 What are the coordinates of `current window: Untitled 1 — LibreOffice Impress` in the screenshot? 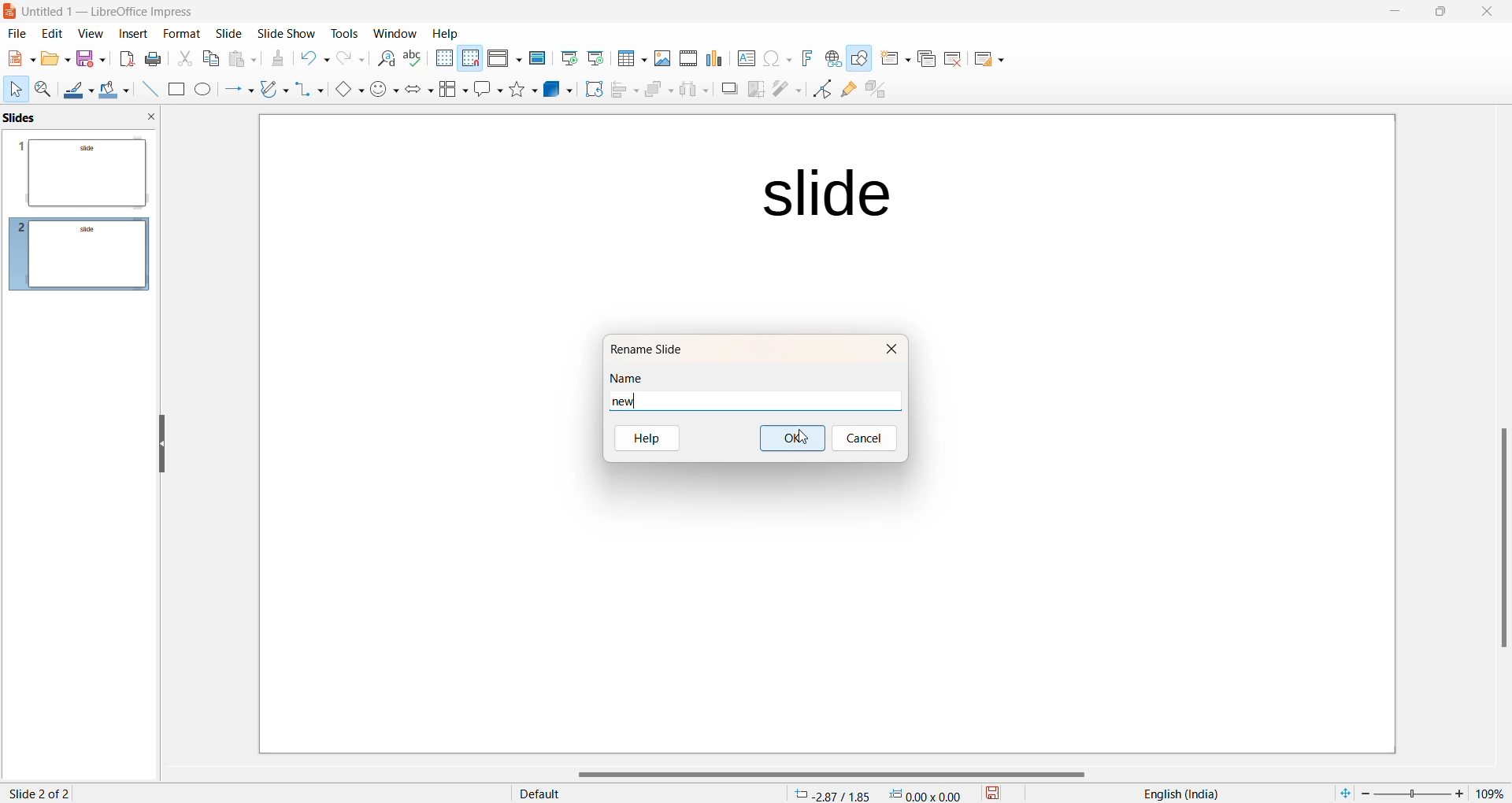 It's located at (105, 13).